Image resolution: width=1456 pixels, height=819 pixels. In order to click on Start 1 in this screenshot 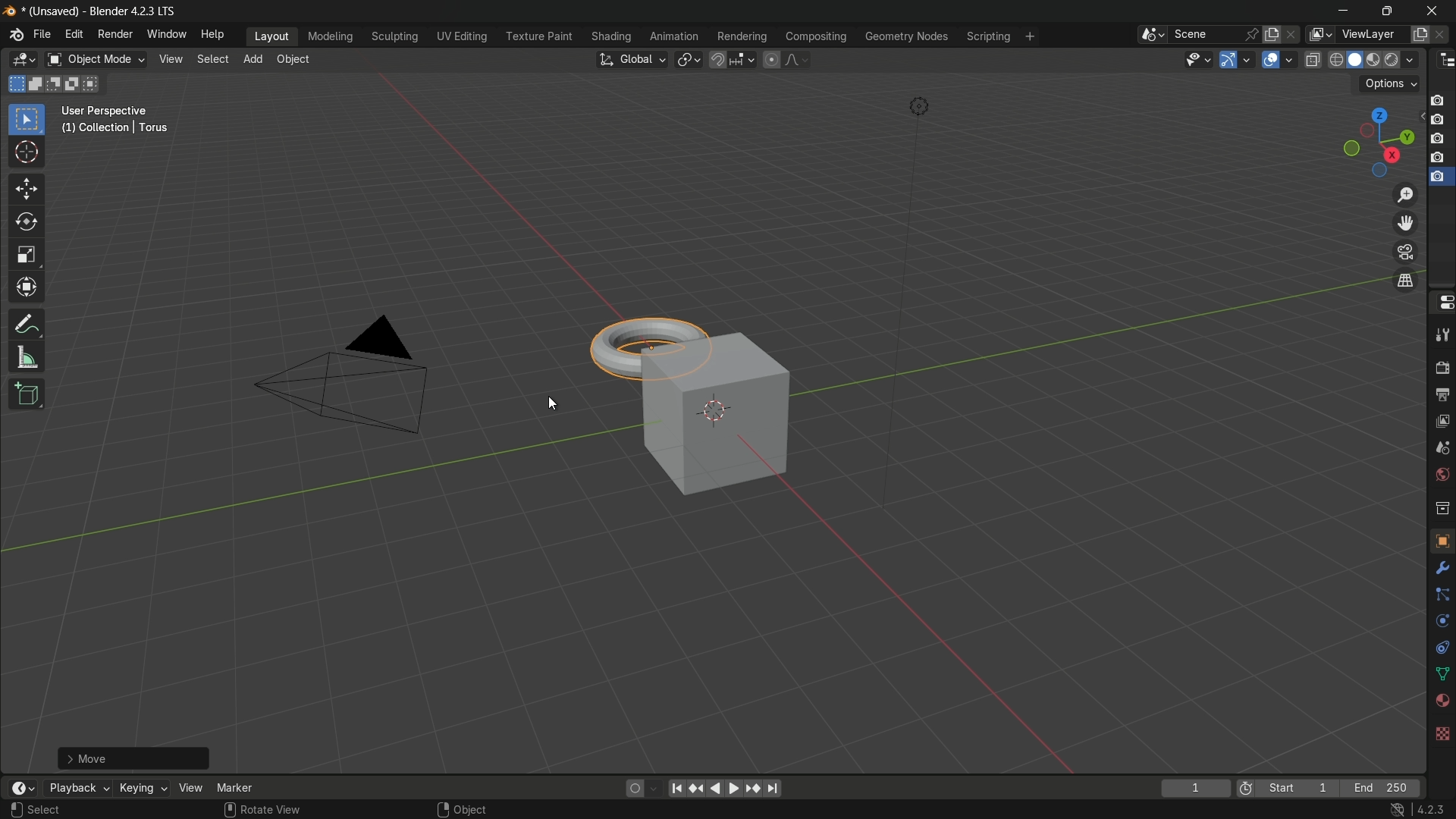, I will do `click(1302, 789)`.